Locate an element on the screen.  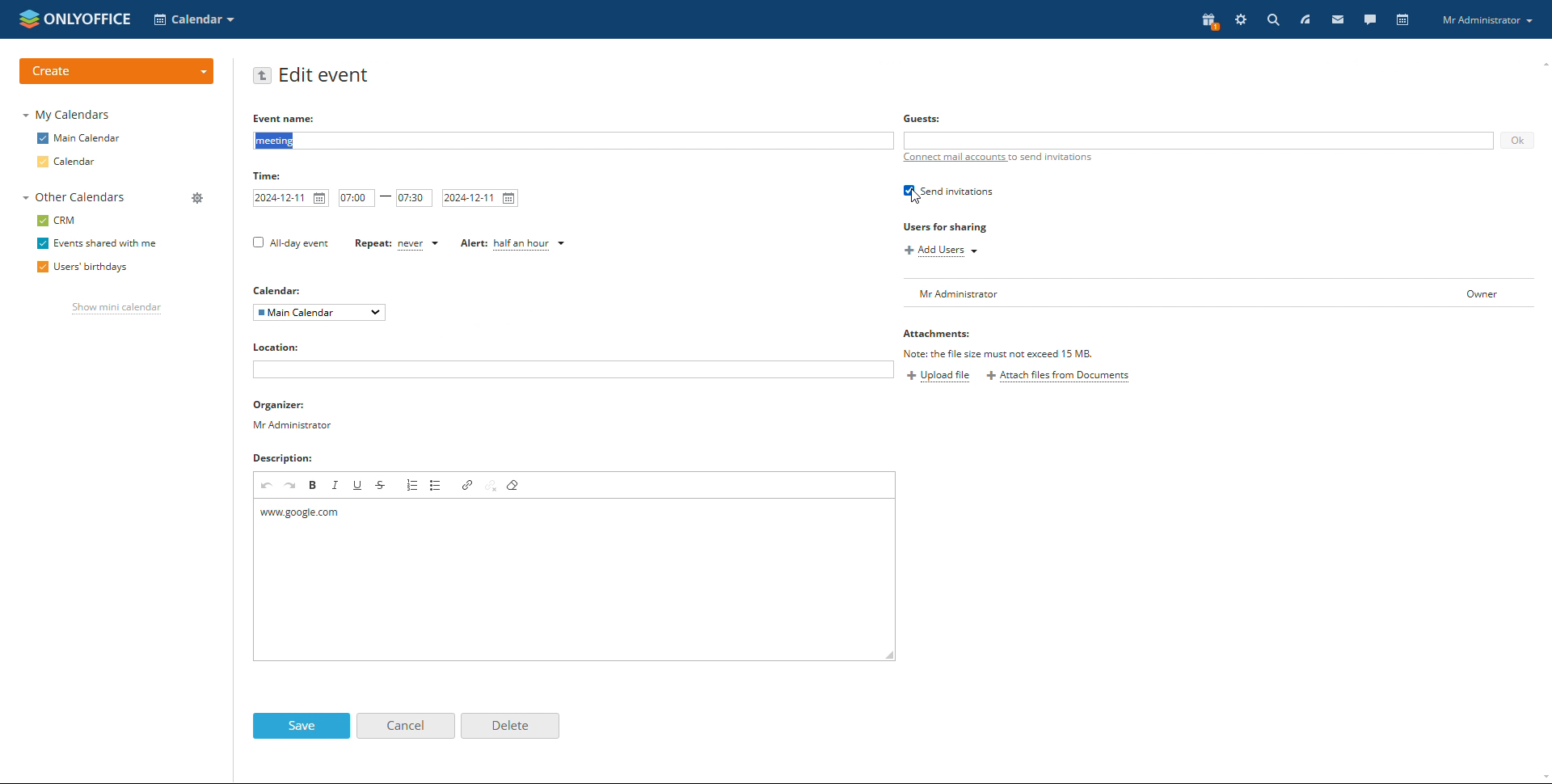
search is located at coordinates (1271, 20).